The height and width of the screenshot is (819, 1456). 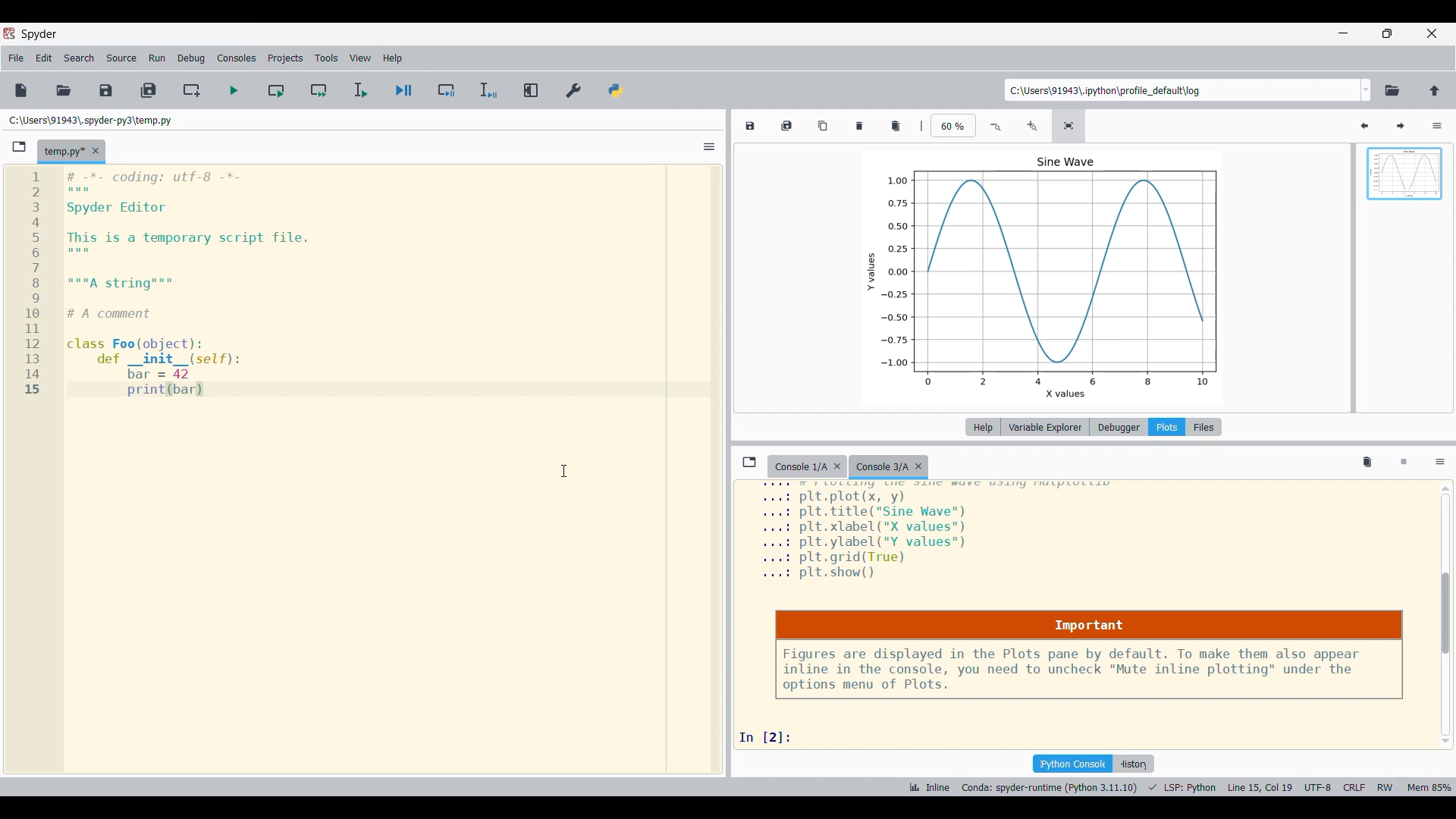 What do you see at coordinates (447, 90) in the screenshot?
I see `Debug cell` at bounding box center [447, 90].